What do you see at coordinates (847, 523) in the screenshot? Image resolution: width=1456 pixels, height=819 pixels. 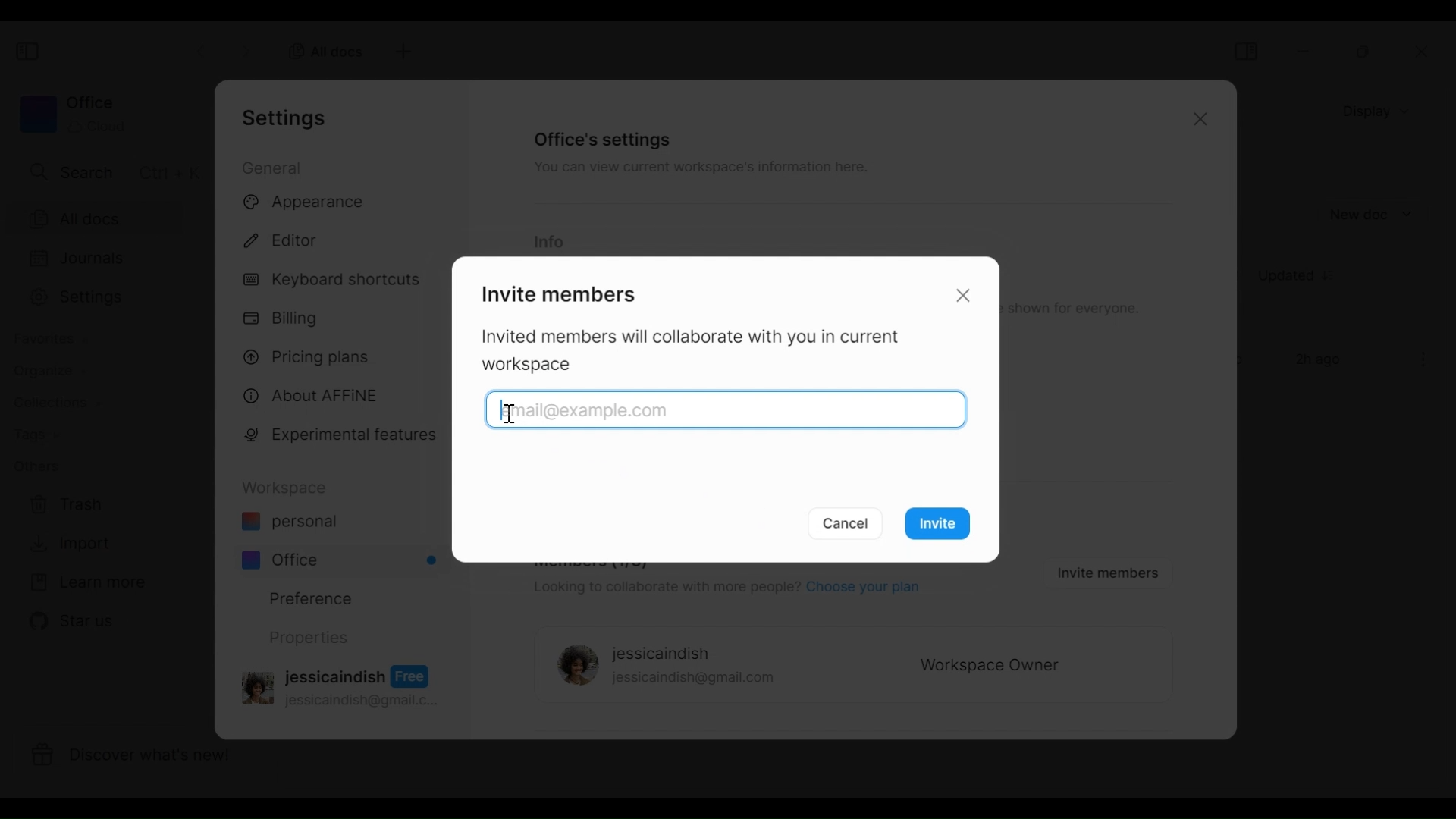 I see `cancel` at bounding box center [847, 523].